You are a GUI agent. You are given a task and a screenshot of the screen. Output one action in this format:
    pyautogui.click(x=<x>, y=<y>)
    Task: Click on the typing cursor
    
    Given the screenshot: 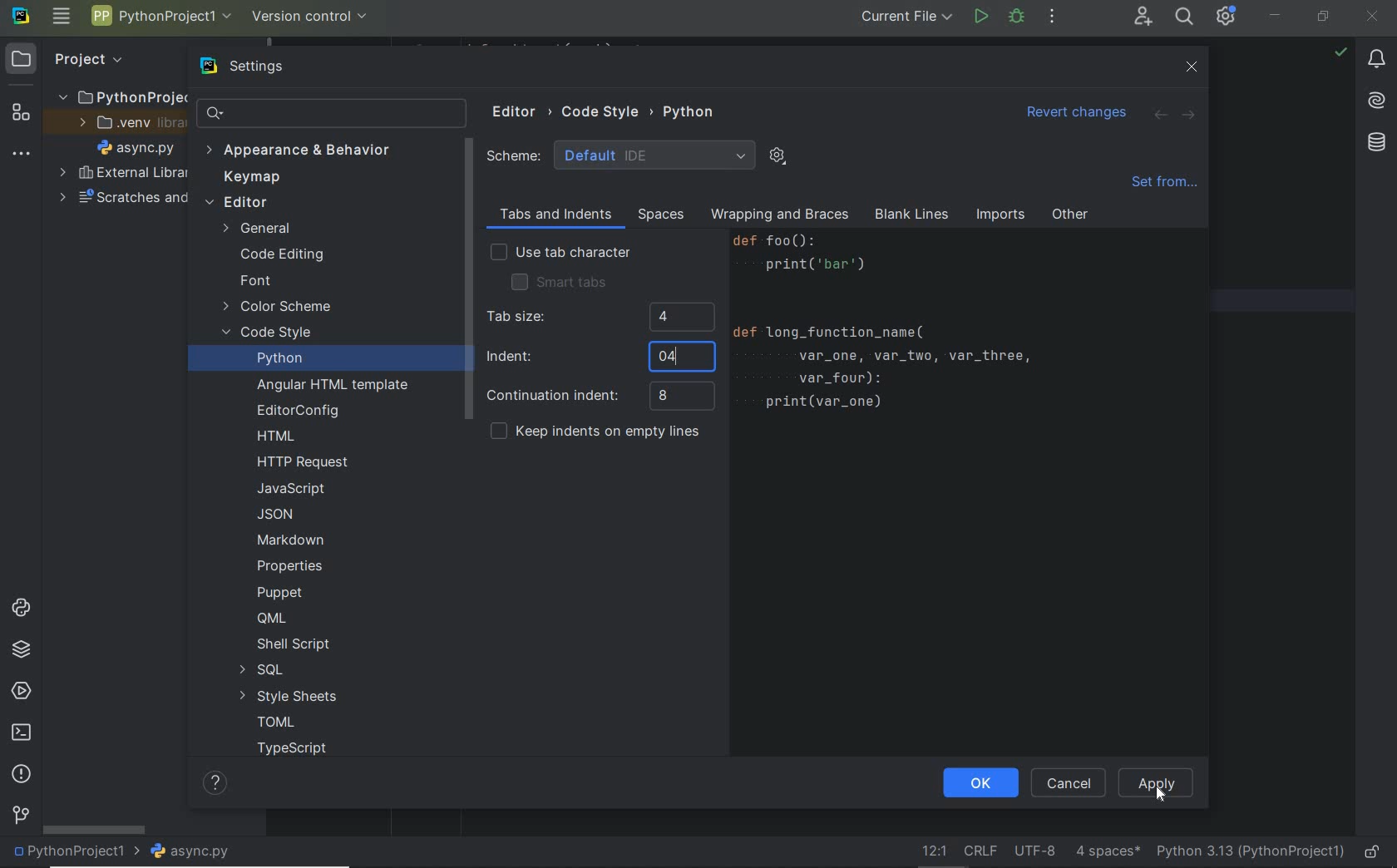 What is the action you would take?
    pyautogui.click(x=678, y=360)
    